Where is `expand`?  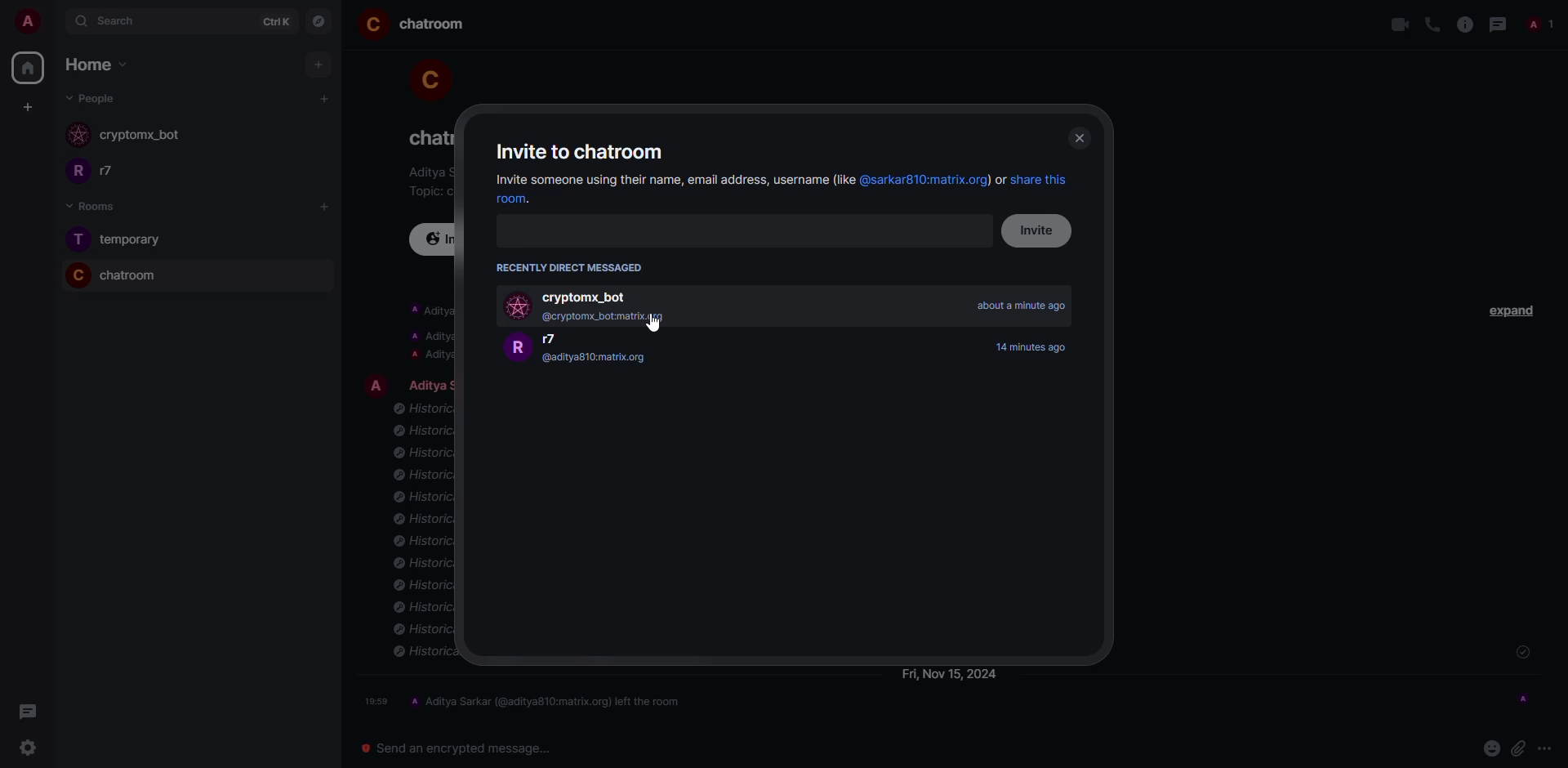
expand is located at coordinates (1514, 309).